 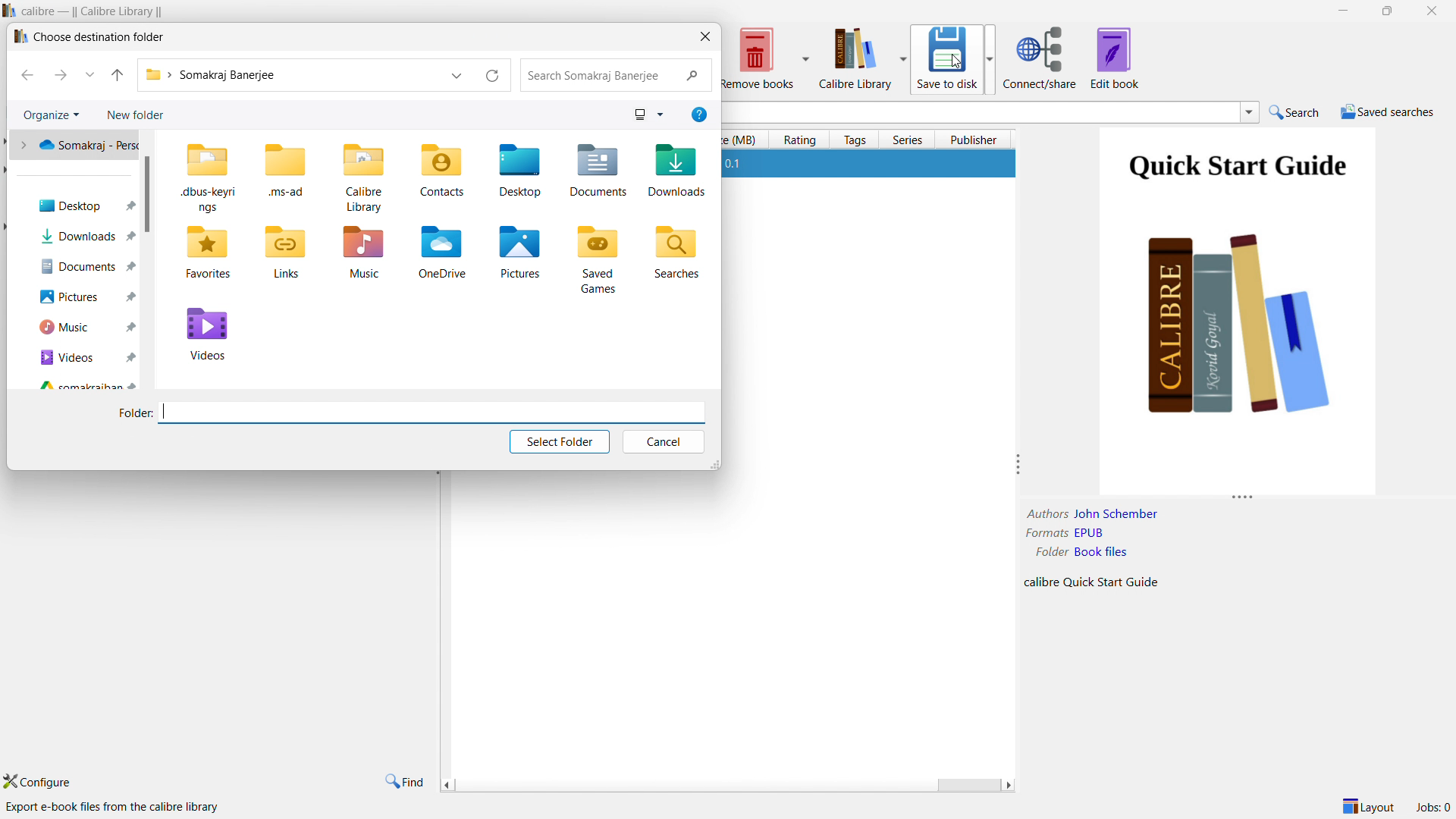 What do you see at coordinates (1385, 11) in the screenshot?
I see `maximize` at bounding box center [1385, 11].